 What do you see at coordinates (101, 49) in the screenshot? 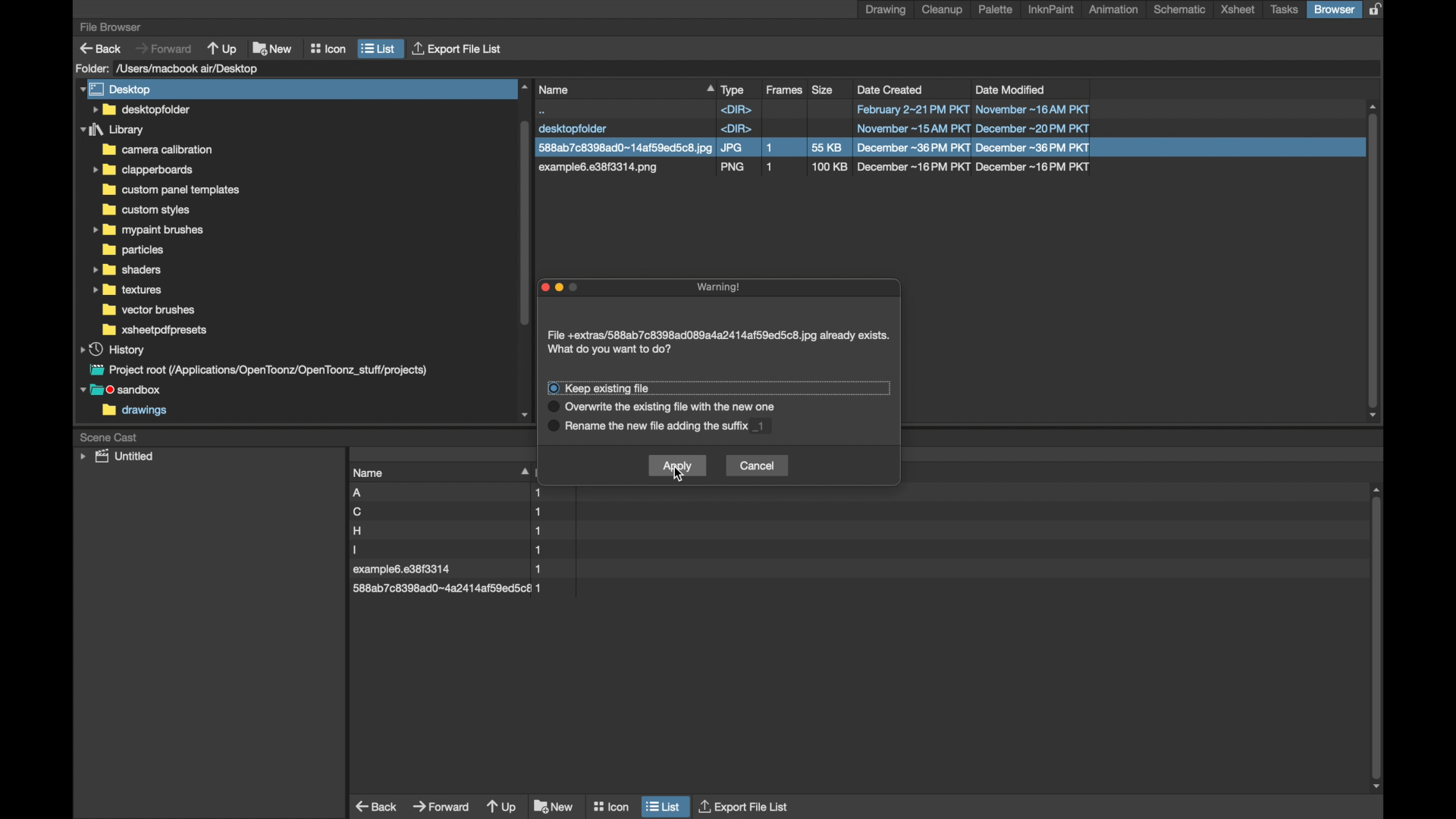
I see `back` at bounding box center [101, 49].